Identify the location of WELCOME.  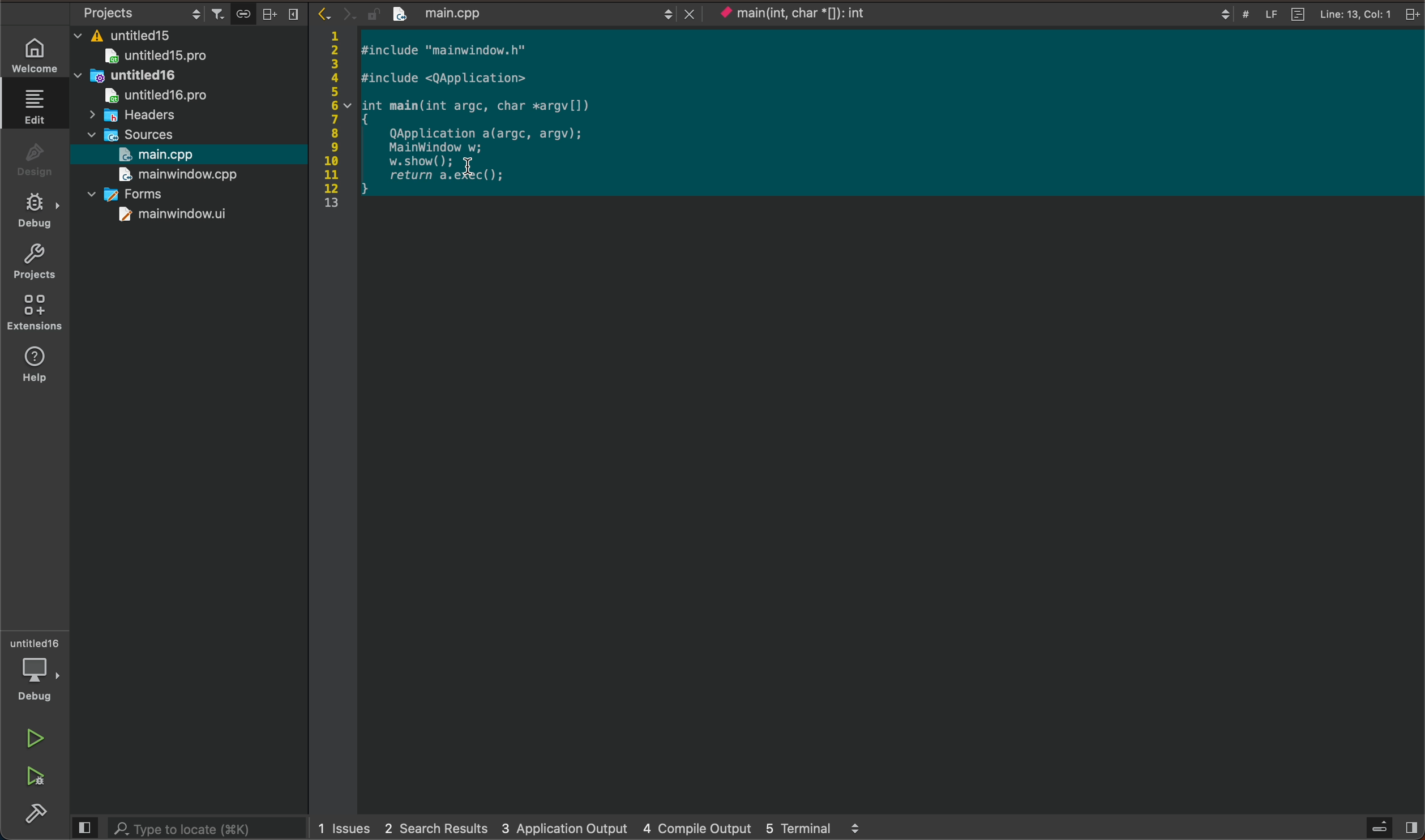
(35, 53).